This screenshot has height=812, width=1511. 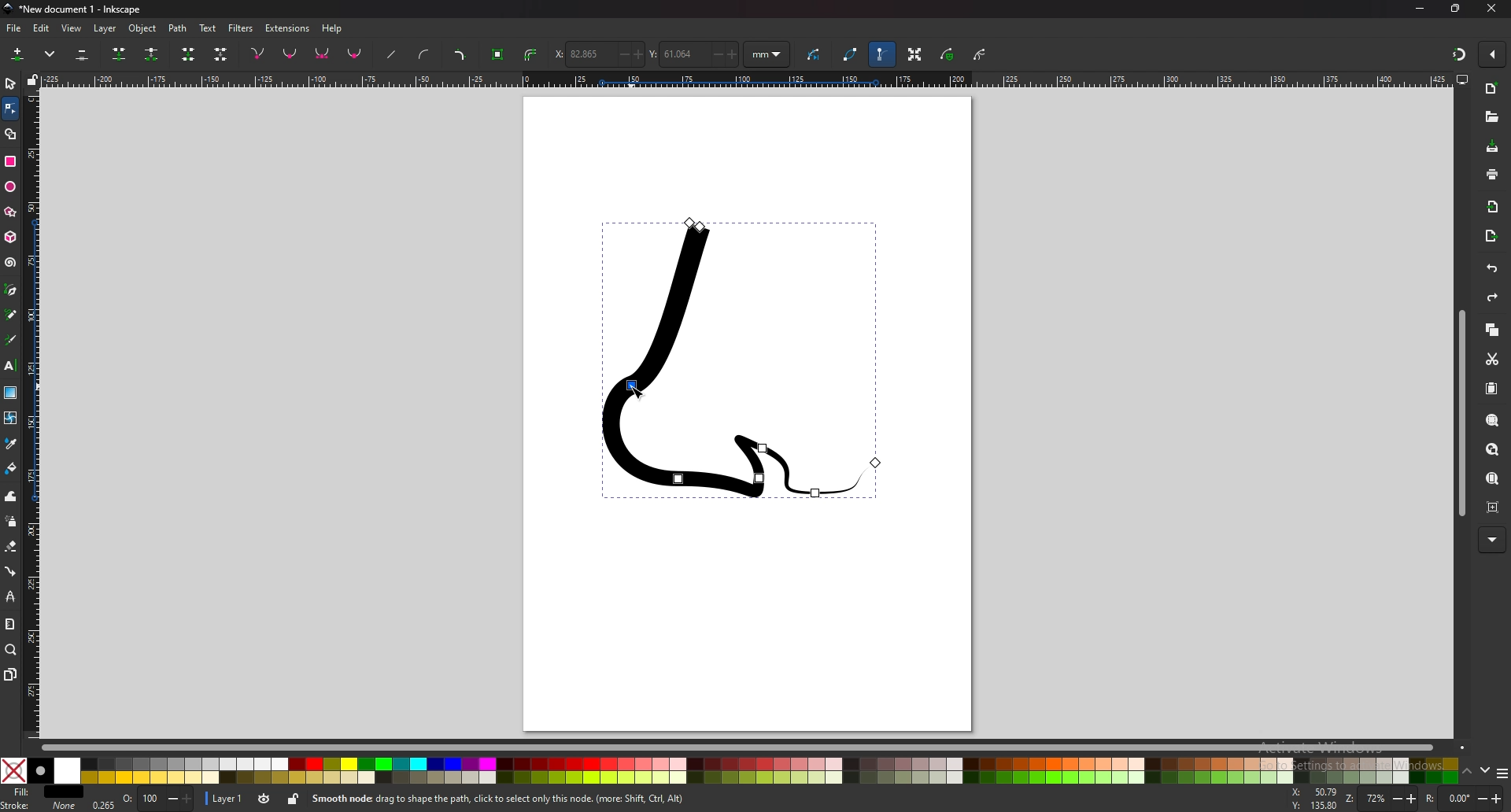 What do you see at coordinates (242, 27) in the screenshot?
I see `filters` at bounding box center [242, 27].